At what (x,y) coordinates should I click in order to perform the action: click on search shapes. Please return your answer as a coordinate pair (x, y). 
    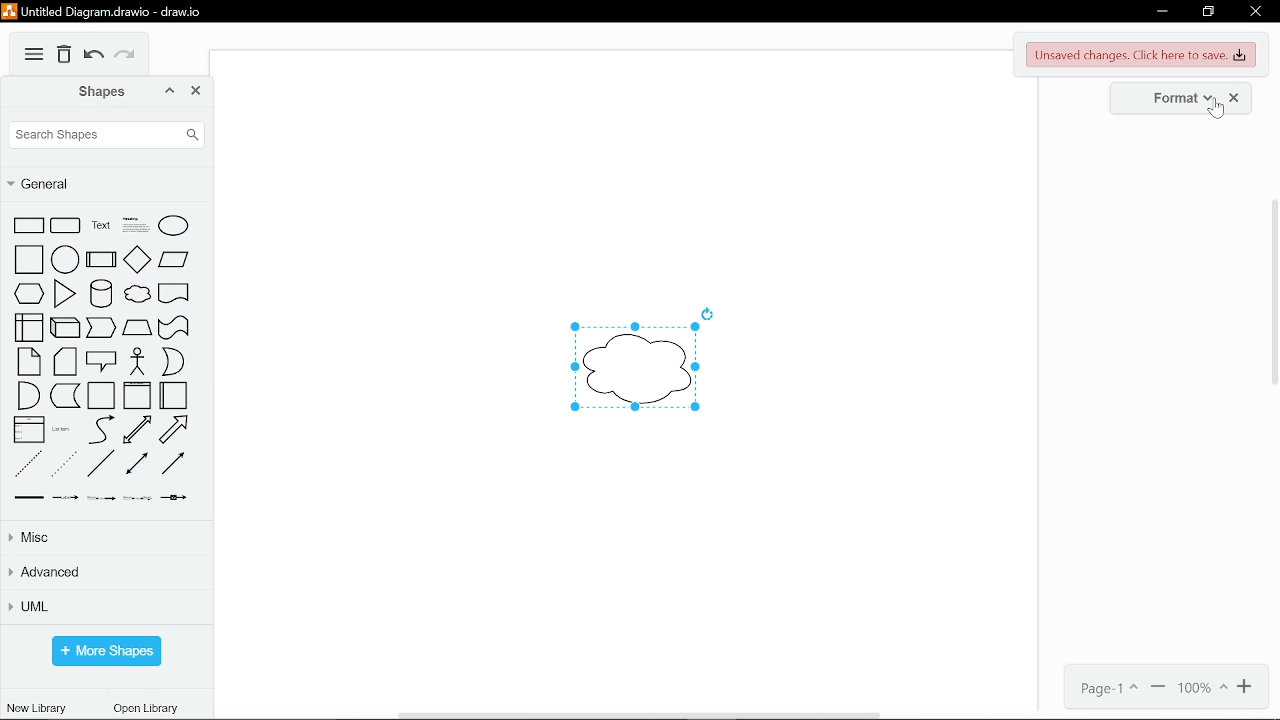
    Looking at the image, I should click on (110, 135).